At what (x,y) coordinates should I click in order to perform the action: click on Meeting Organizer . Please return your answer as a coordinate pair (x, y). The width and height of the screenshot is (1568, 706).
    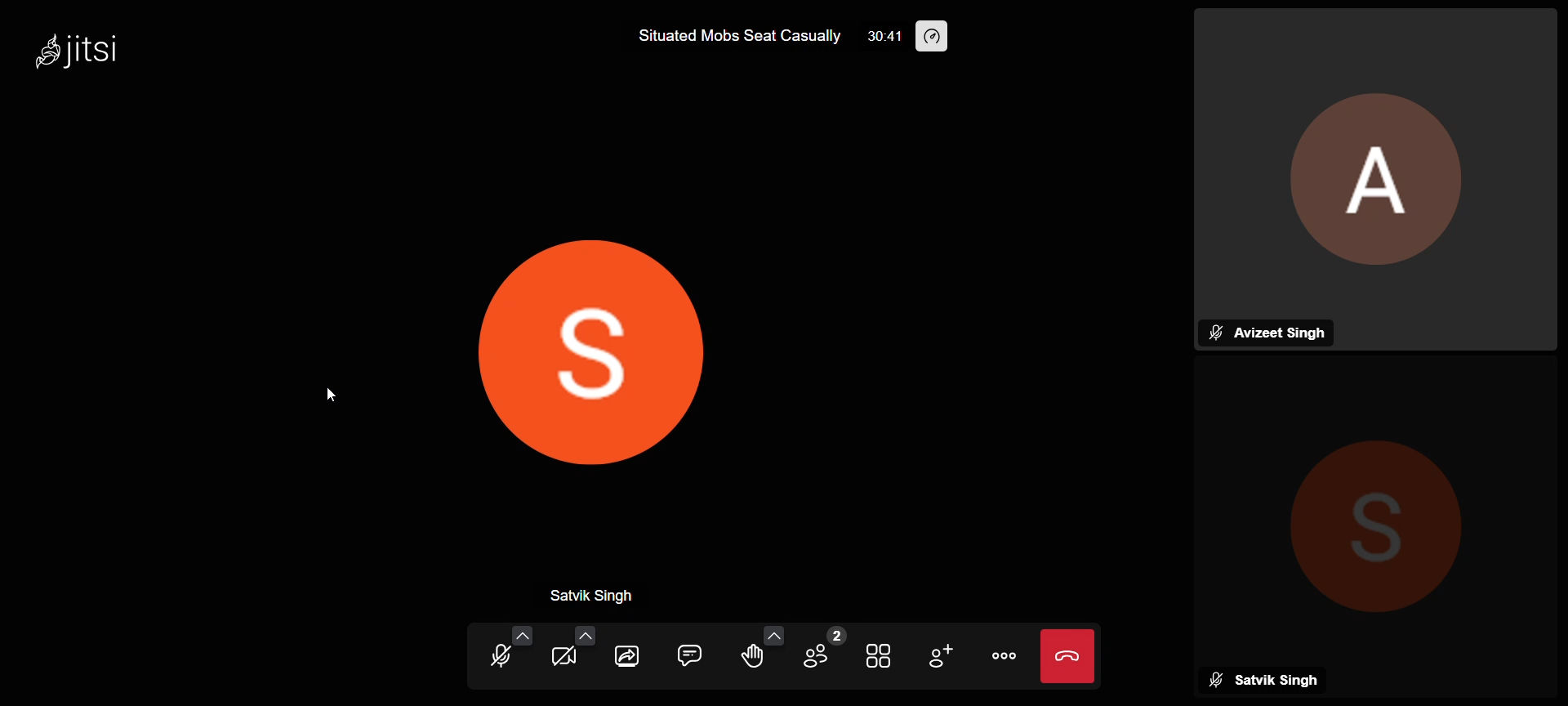
    Looking at the image, I should click on (1383, 154).